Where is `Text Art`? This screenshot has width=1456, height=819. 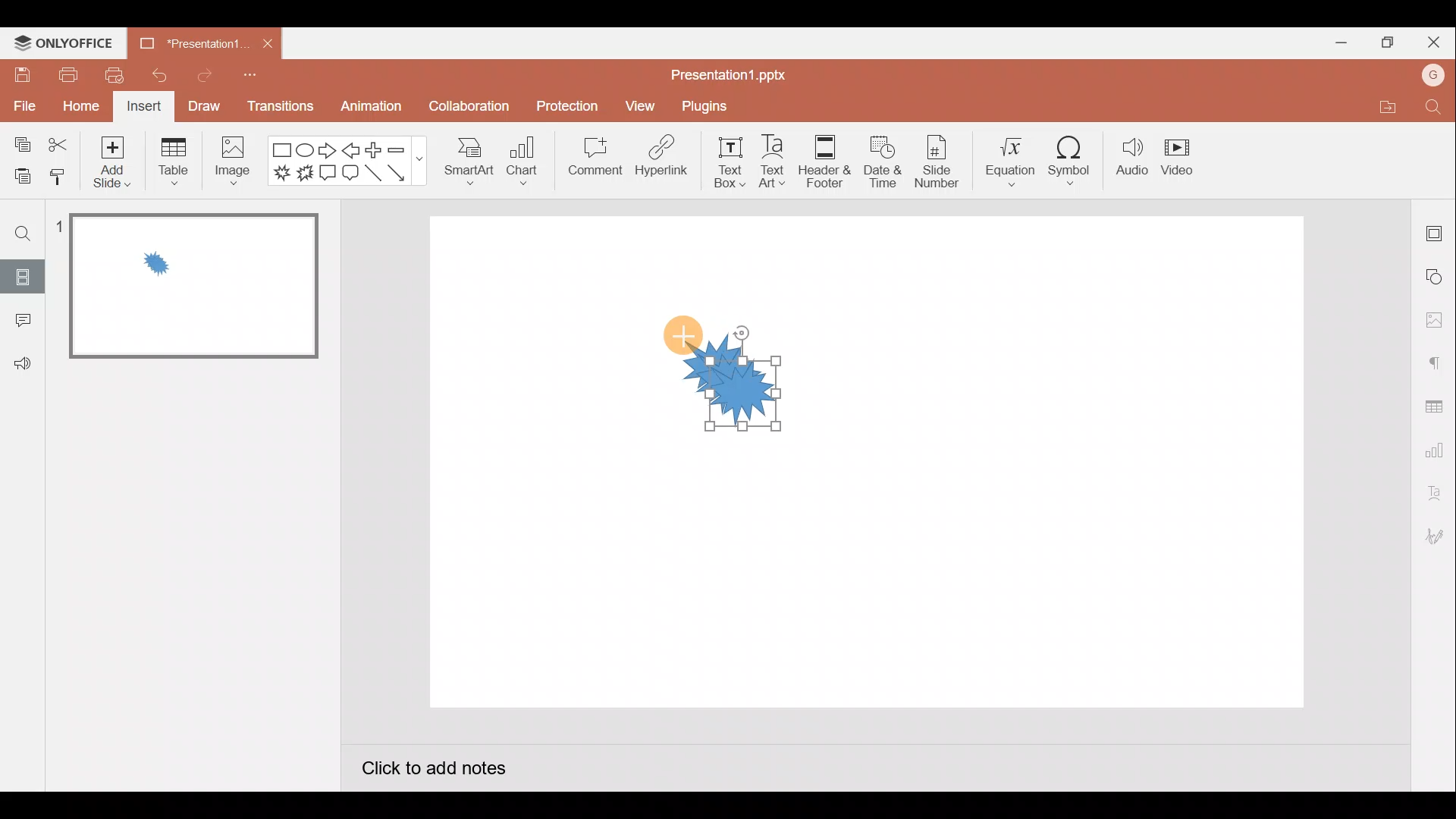
Text Art is located at coordinates (772, 162).